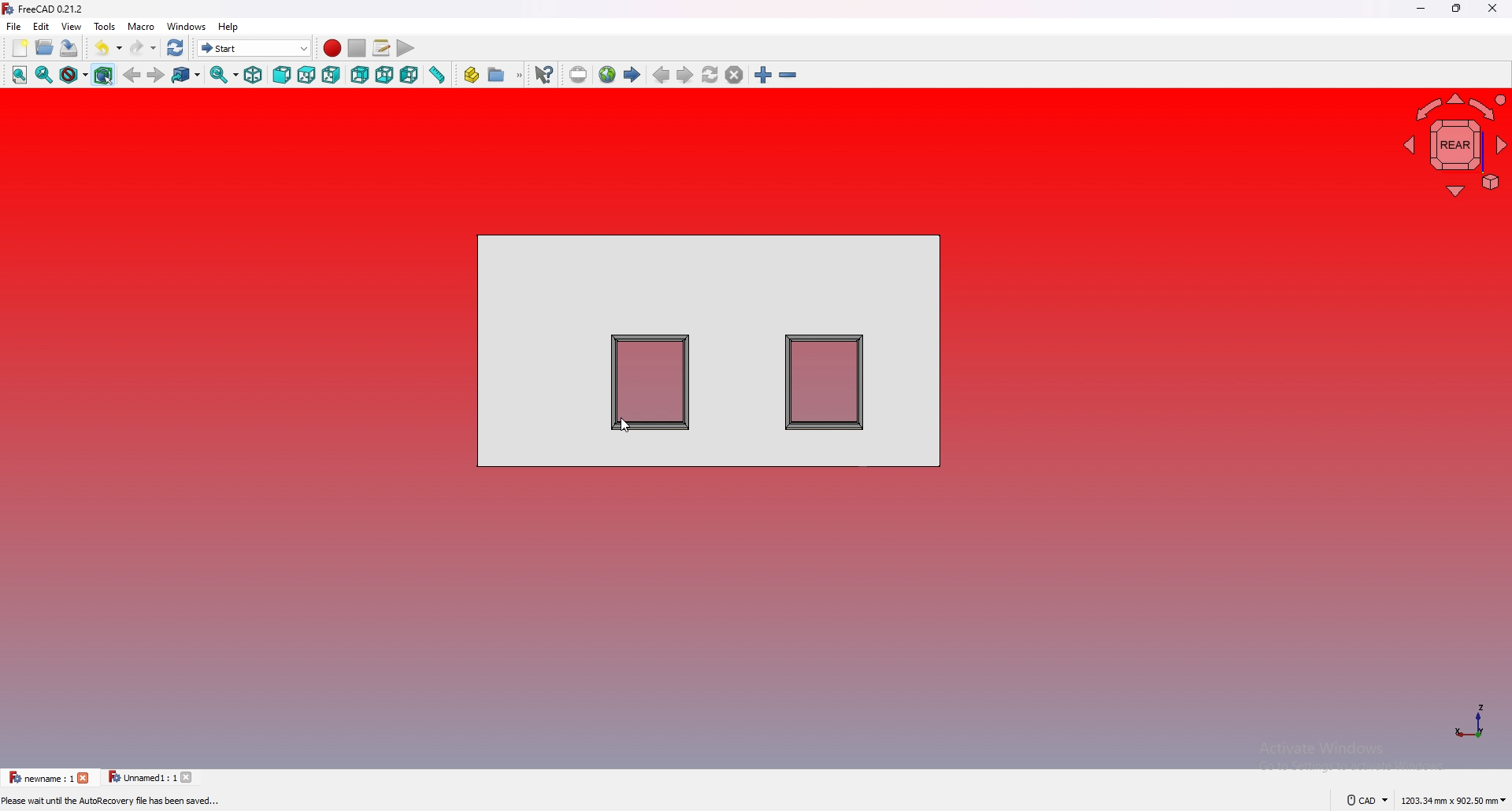  Describe the element at coordinates (710, 73) in the screenshot. I see `refresh web page` at that location.